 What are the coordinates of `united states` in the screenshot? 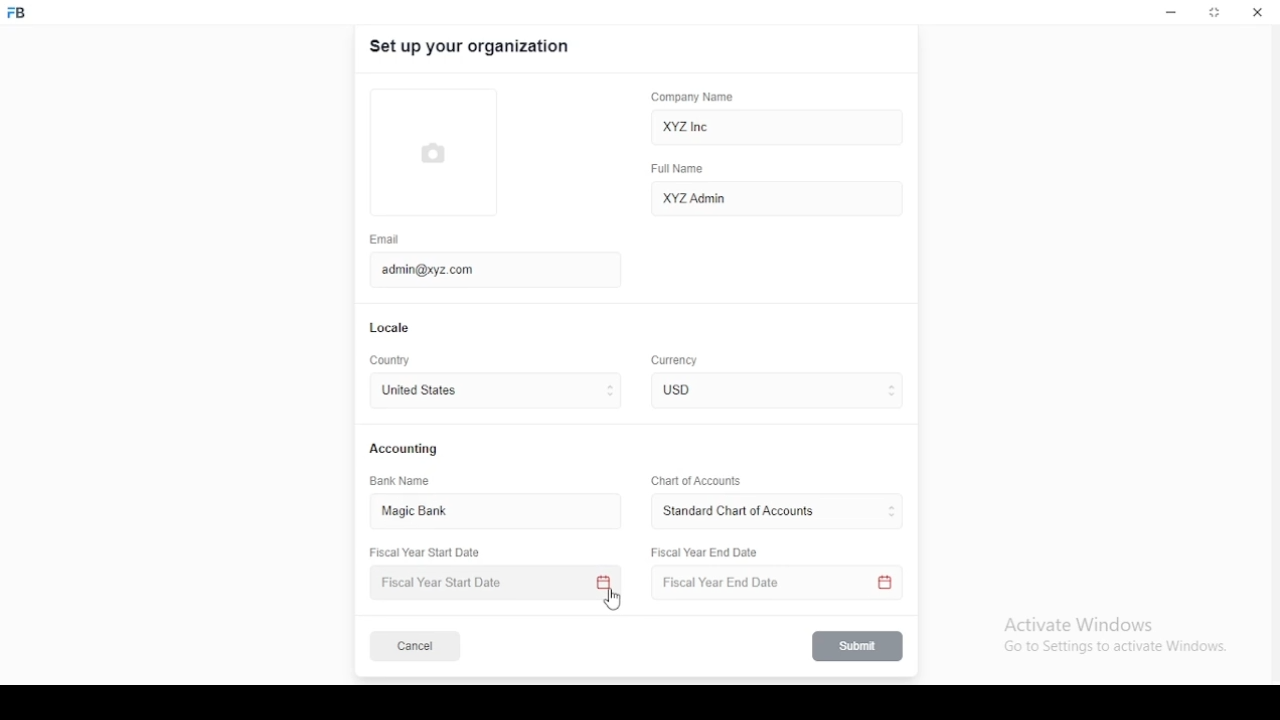 It's located at (418, 392).